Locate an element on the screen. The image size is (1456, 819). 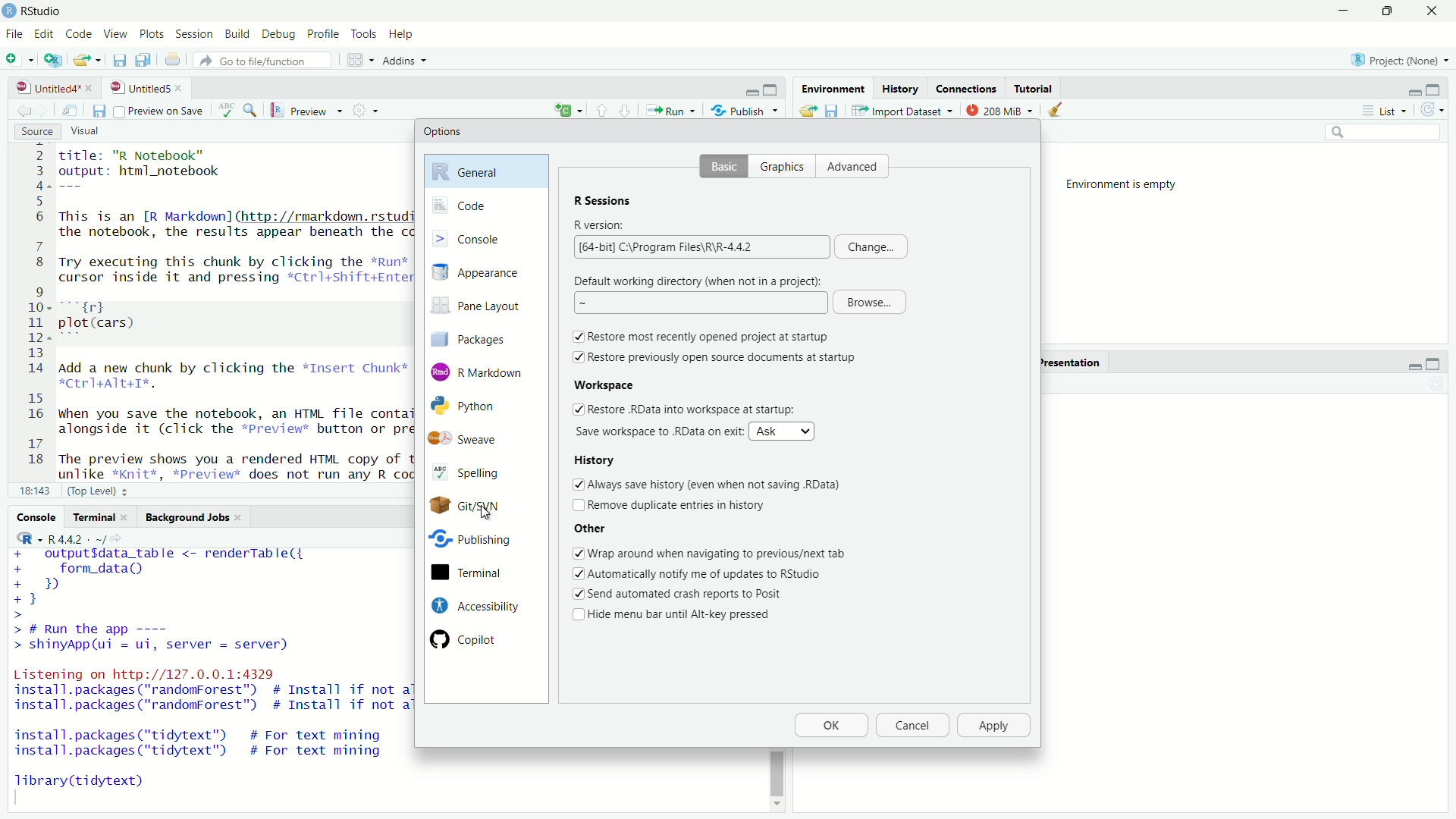
Packages is located at coordinates (481, 338).